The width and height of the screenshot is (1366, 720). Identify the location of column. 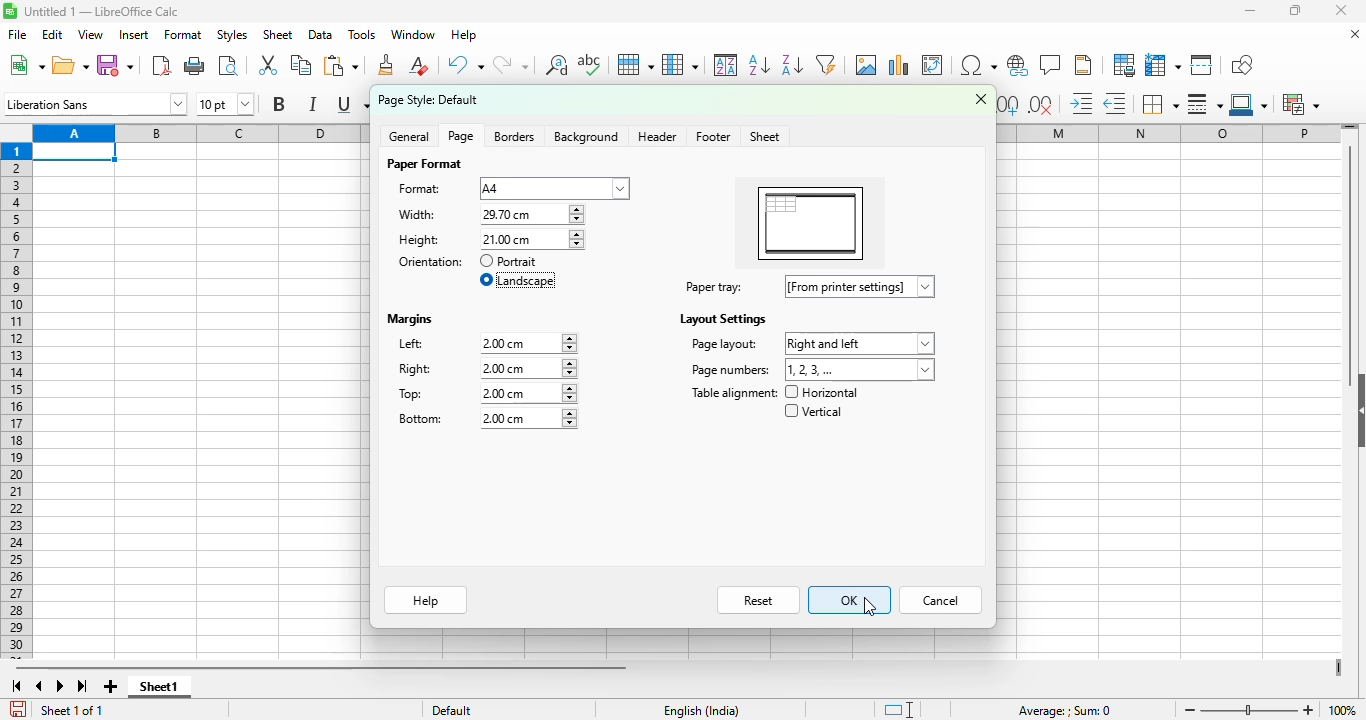
(680, 65).